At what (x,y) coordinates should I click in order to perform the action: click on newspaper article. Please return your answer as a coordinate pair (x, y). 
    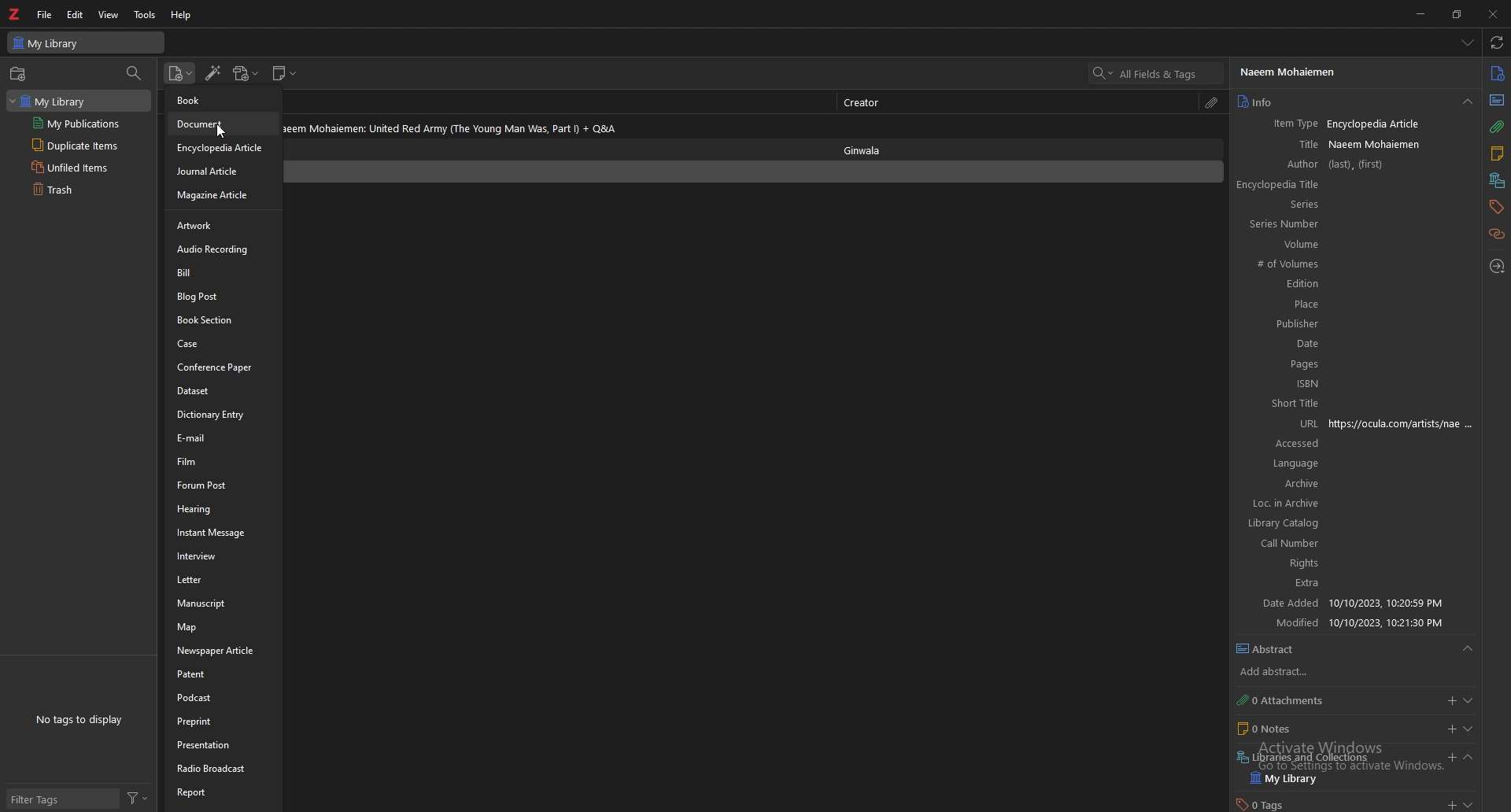
    Looking at the image, I should click on (222, 651).